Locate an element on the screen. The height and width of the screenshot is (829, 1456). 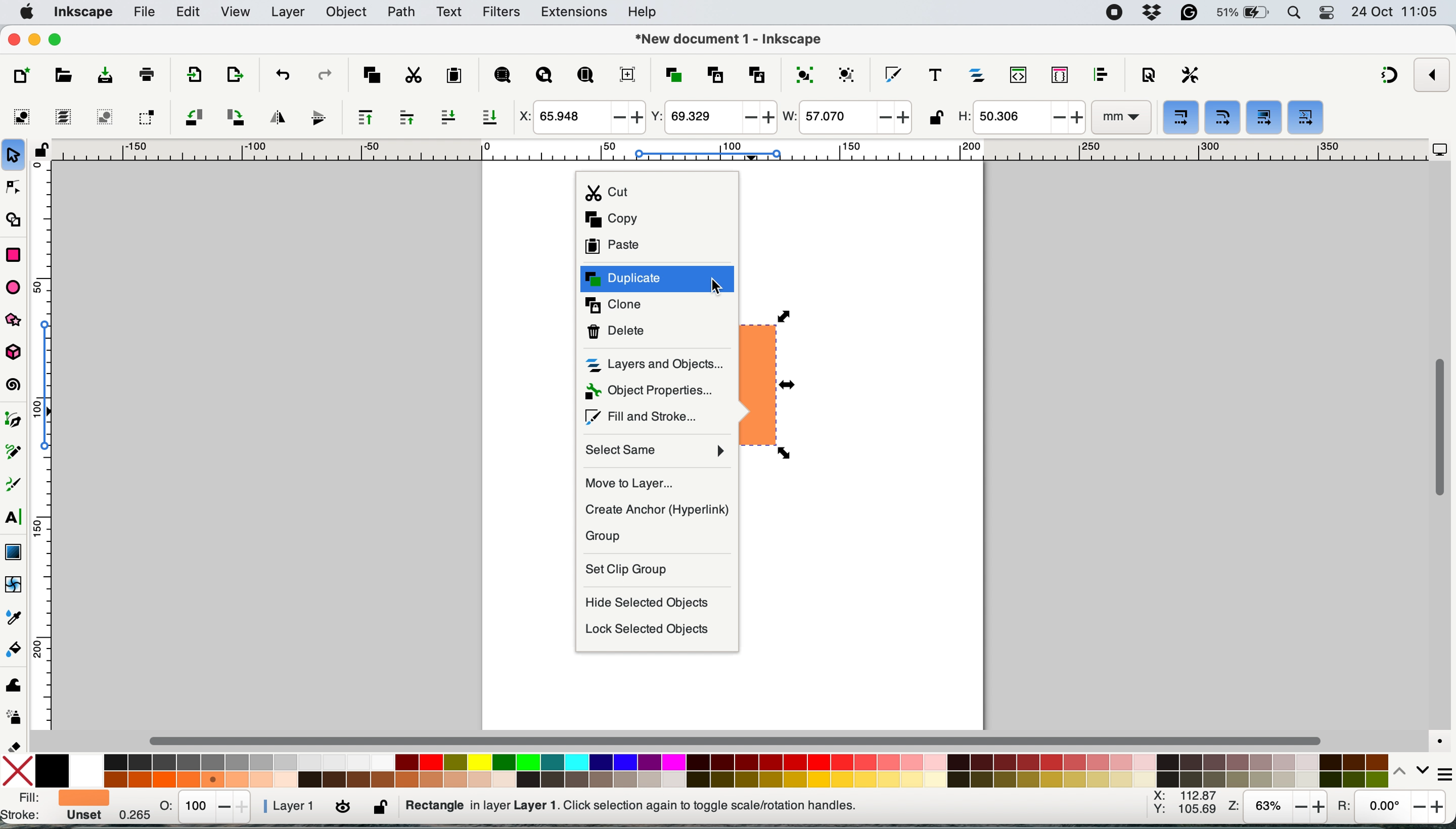
system logo is located at coordinates (27, 11).